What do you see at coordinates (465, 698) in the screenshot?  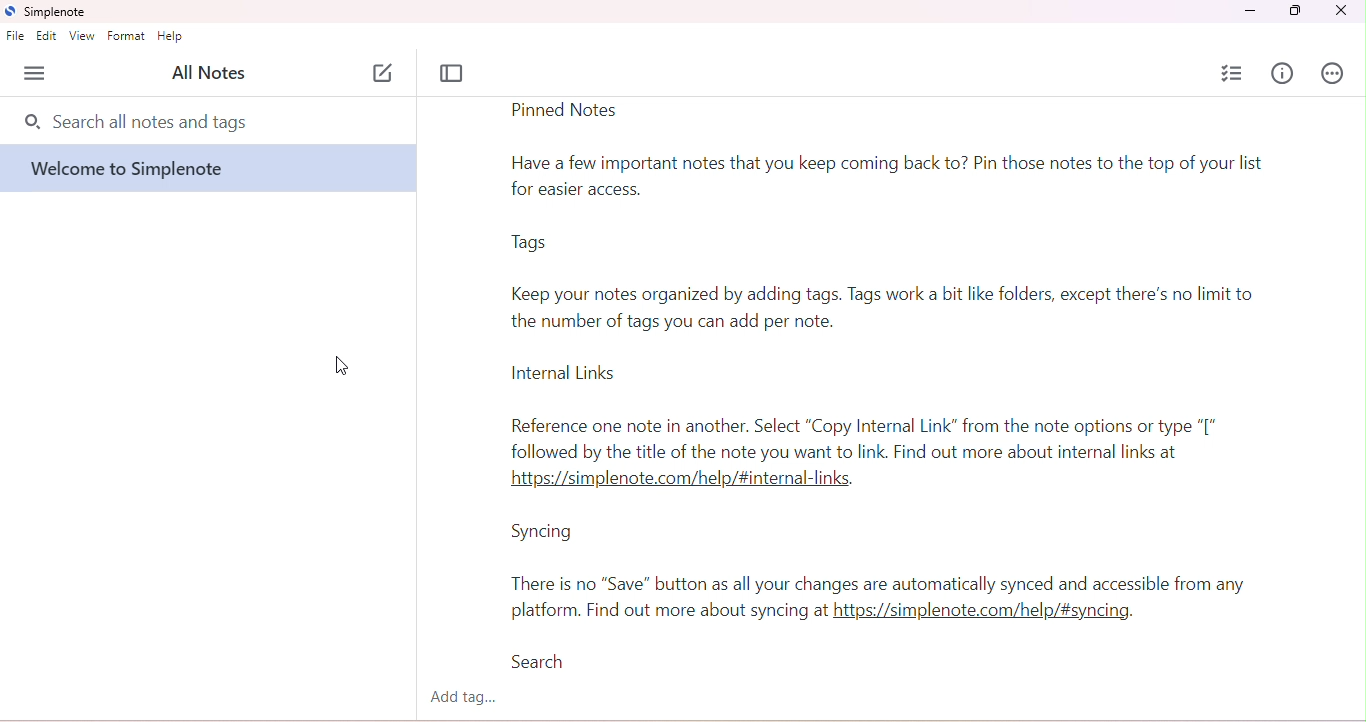 I see `add tag` at bounding box center [465, 698].